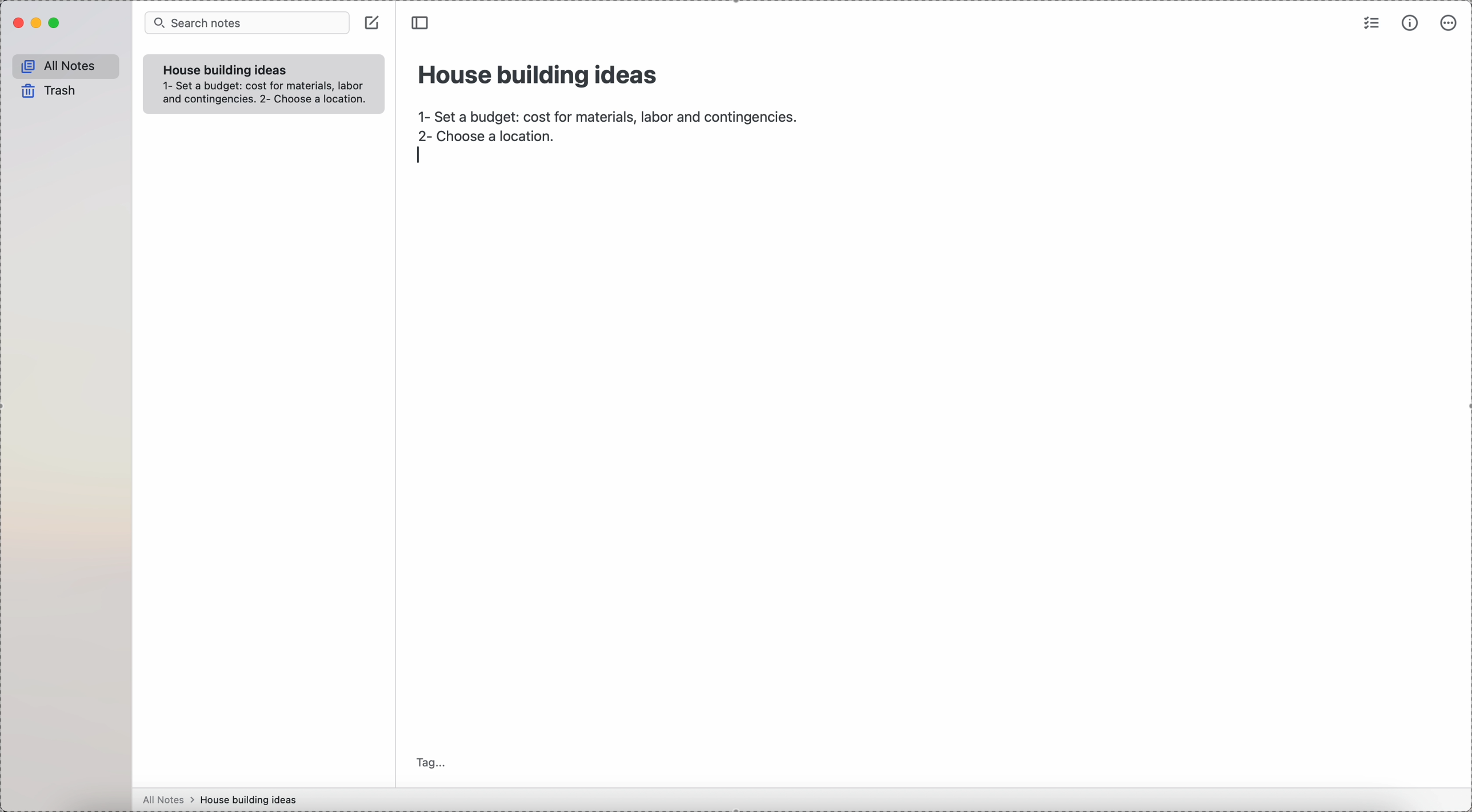 The width and height of the screenshot is (1472, 812). Describe the element at coordinates (169, 800) in the screenshot. I see `all notes` at that location.